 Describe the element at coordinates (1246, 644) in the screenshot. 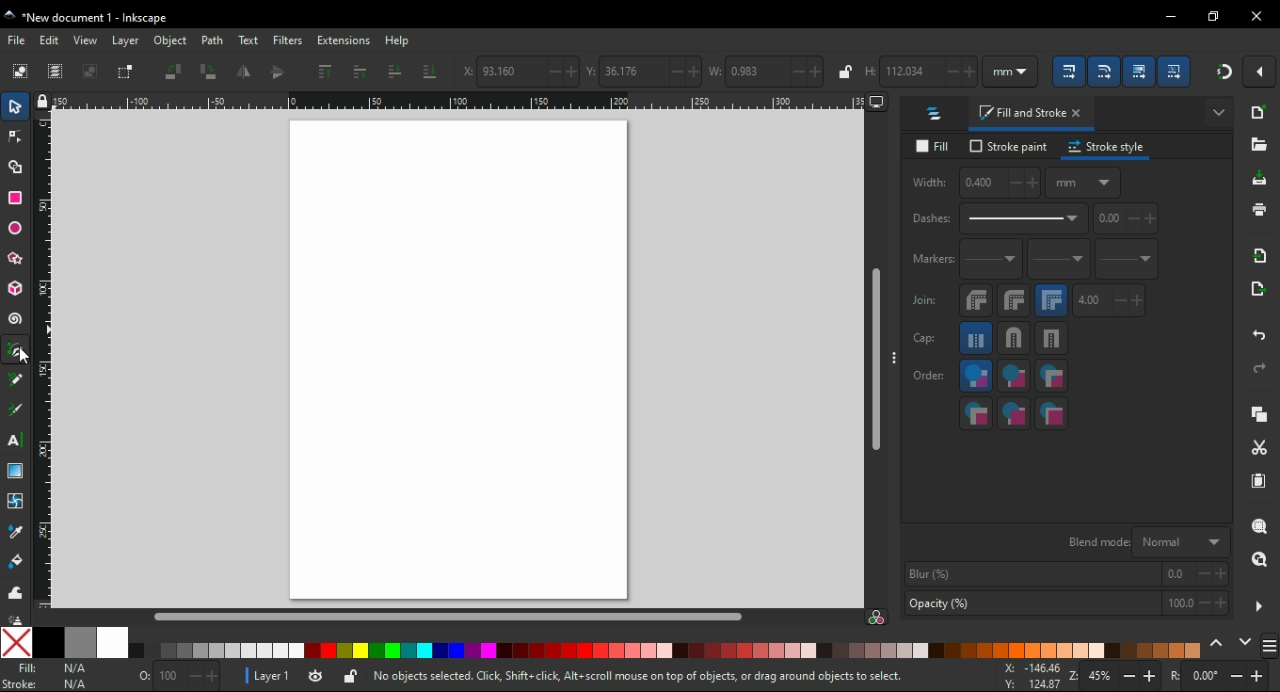

I see `next ` at that location.